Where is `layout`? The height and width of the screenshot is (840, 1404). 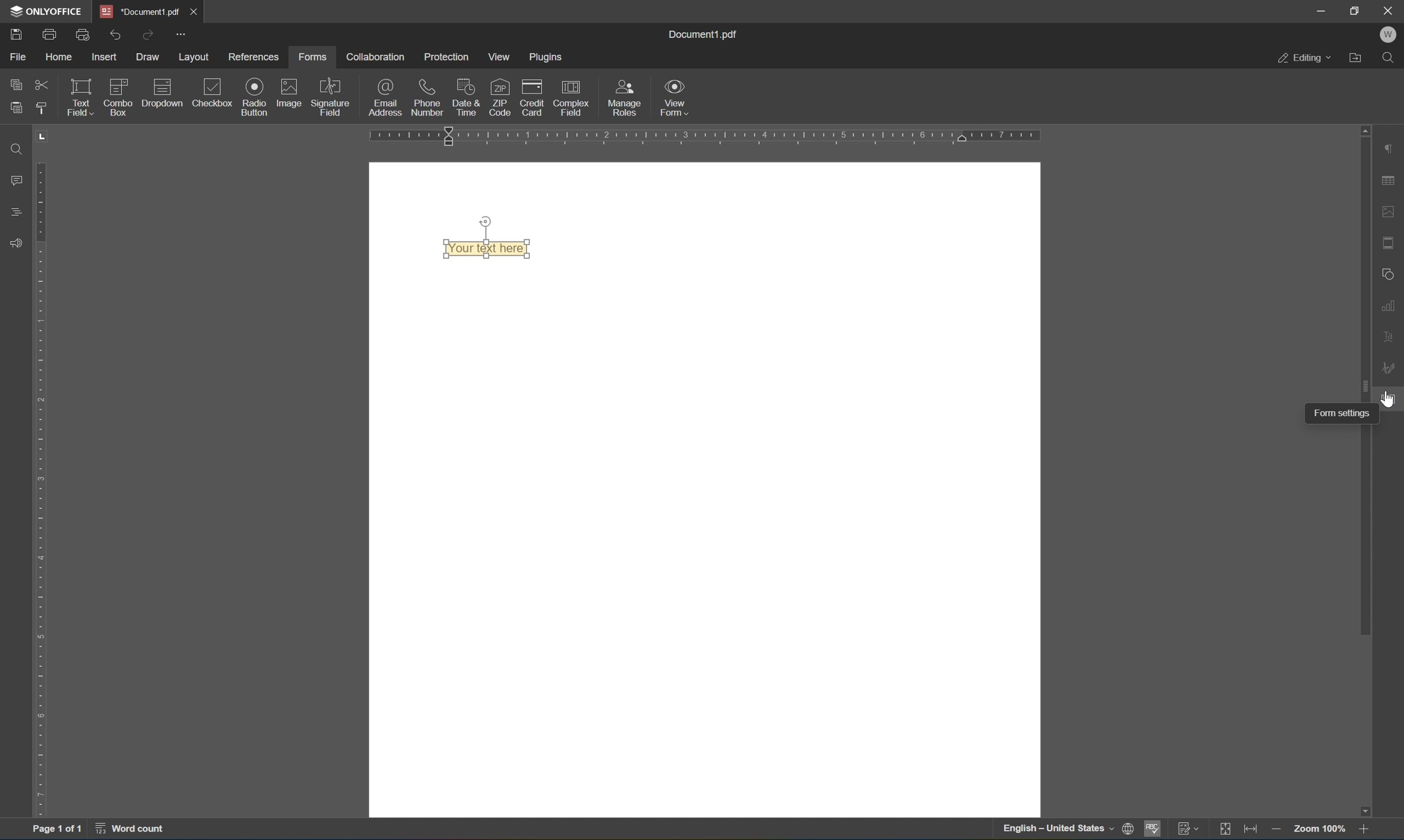
layout is located at coordinates (196, 58).